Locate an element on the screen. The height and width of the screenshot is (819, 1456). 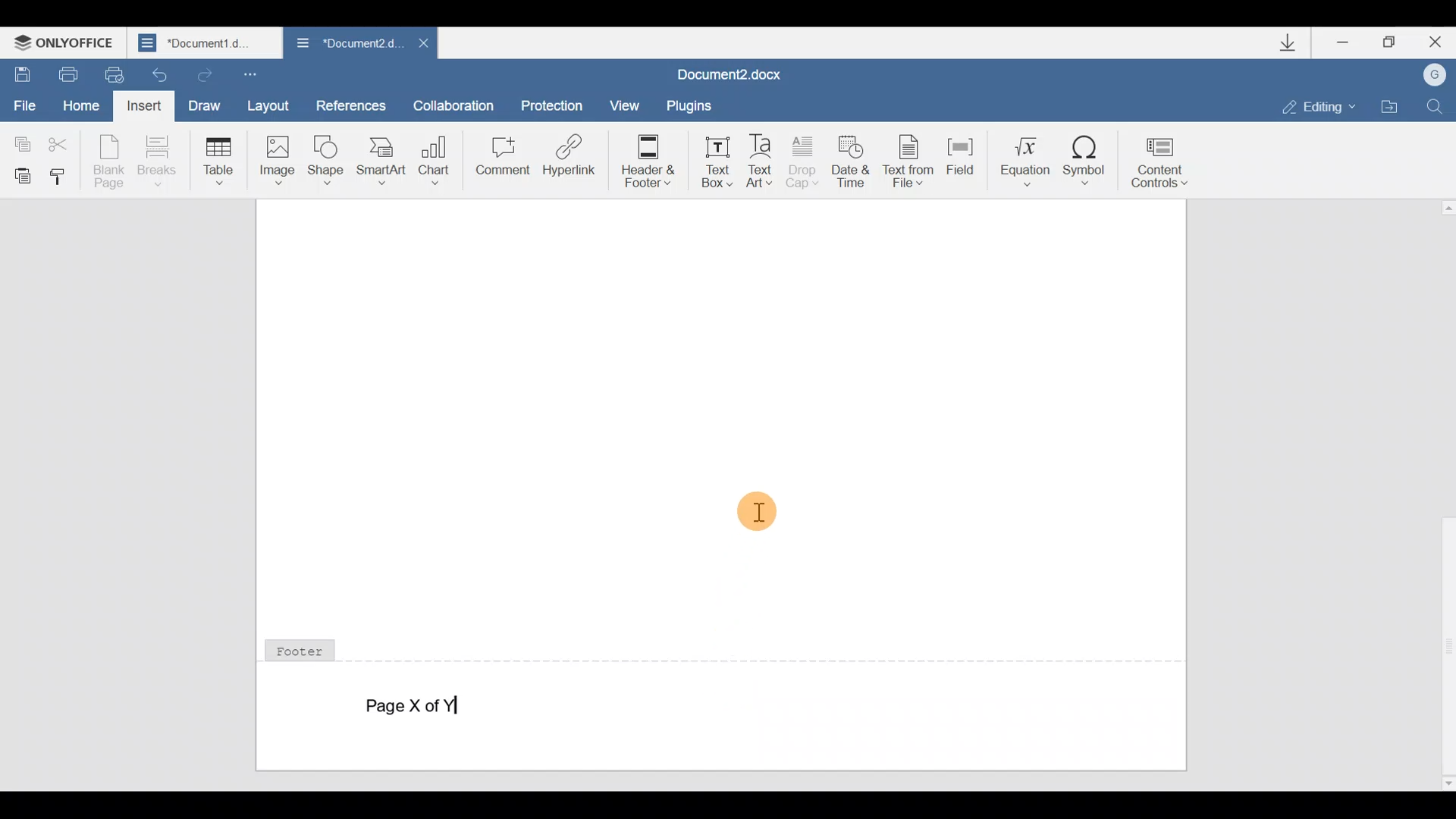
Open file location is located at coordinates (1392, 105).